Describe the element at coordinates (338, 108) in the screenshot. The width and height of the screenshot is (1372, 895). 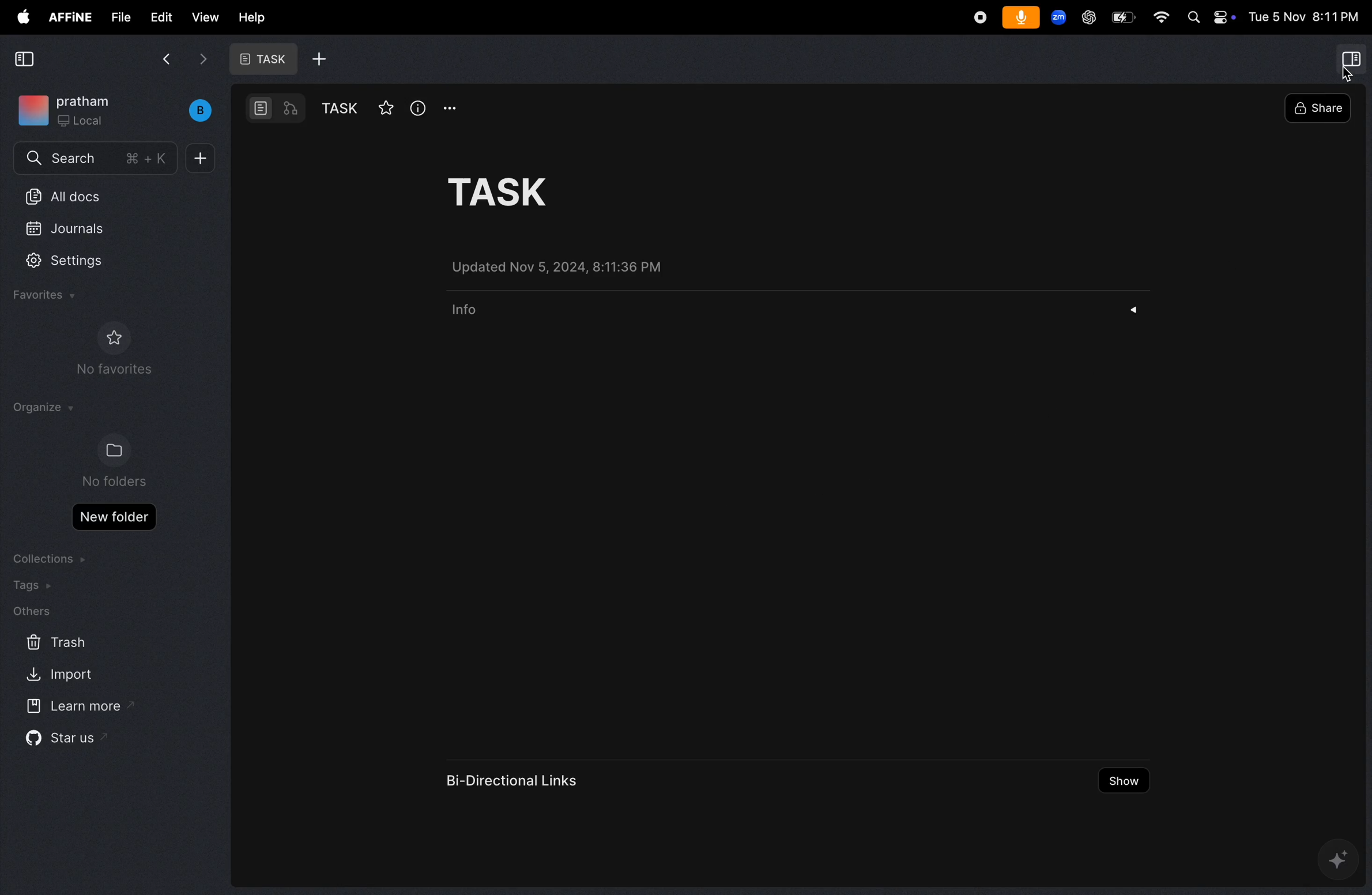
I see `` at that location.